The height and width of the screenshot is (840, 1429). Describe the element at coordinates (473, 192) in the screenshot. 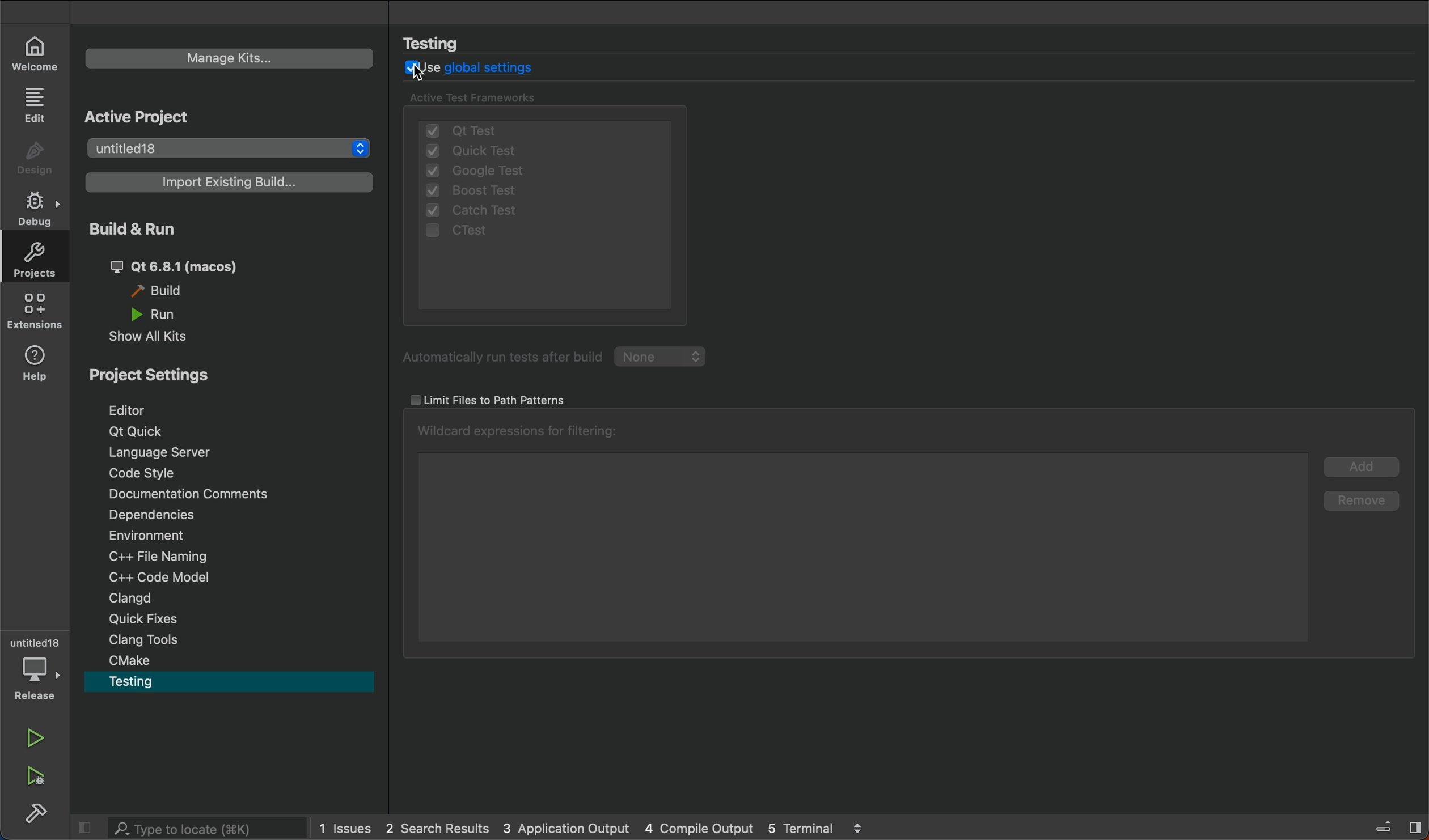

I see `boost test` at that location.